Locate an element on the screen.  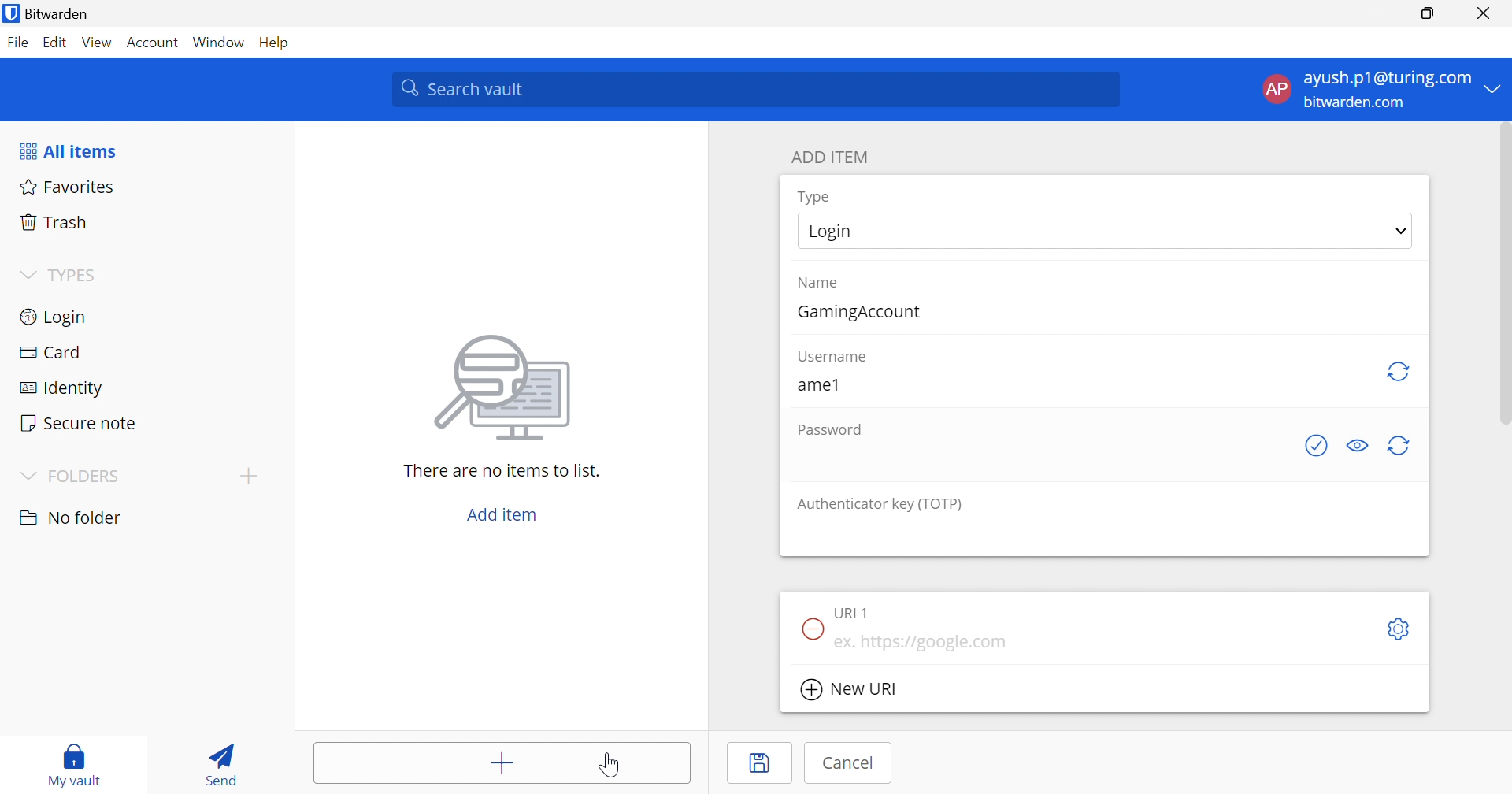
Drop Down is located at coordinates (1402, 231).